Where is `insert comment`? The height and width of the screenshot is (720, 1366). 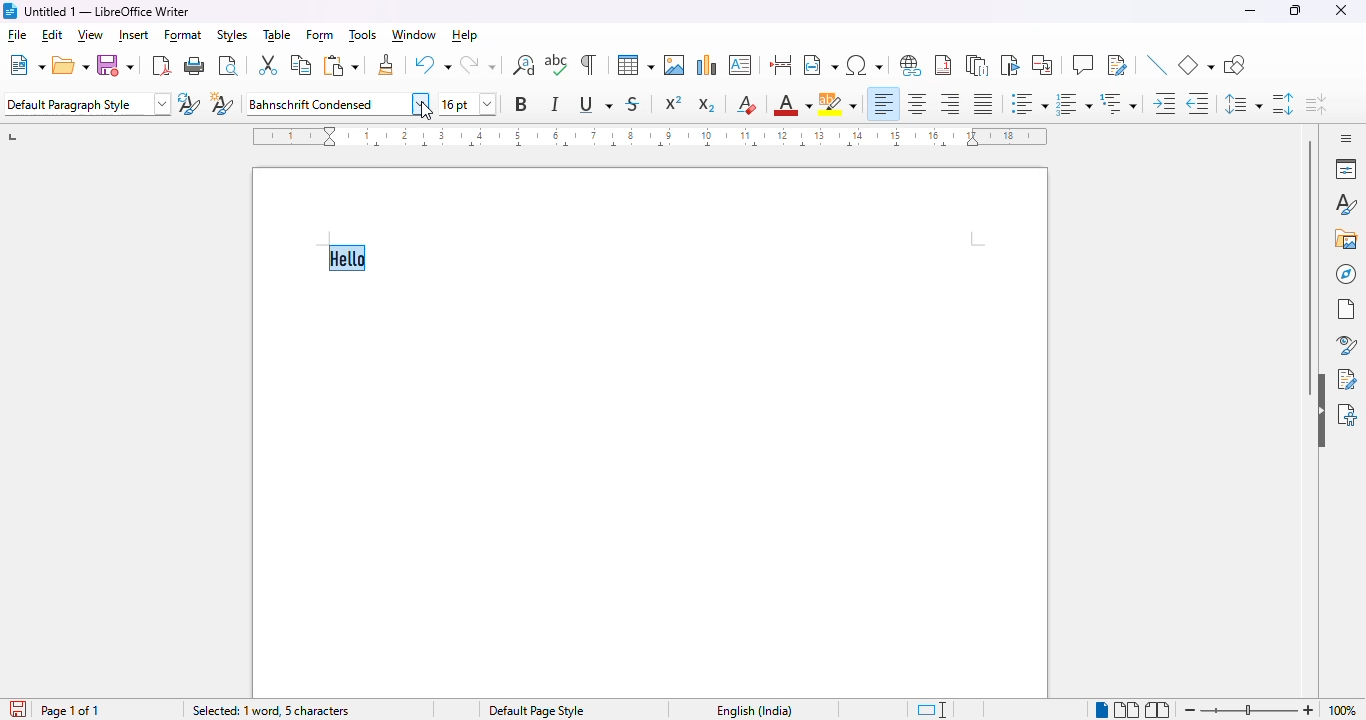 insert comment is located at coordinates (1083, 65).